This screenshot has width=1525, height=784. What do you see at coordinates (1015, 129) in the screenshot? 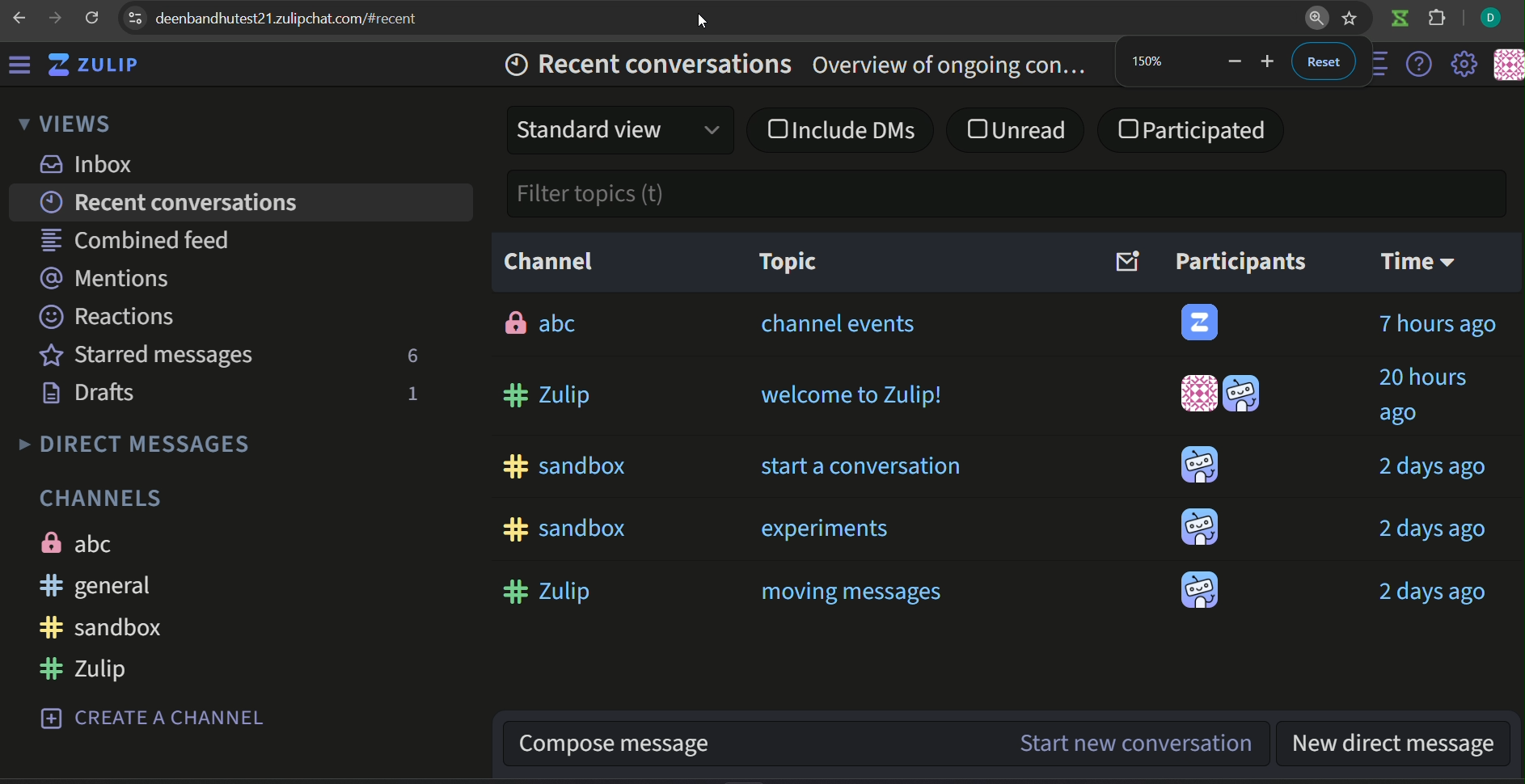
I see `Unread` at bounding box center [1015, 129].